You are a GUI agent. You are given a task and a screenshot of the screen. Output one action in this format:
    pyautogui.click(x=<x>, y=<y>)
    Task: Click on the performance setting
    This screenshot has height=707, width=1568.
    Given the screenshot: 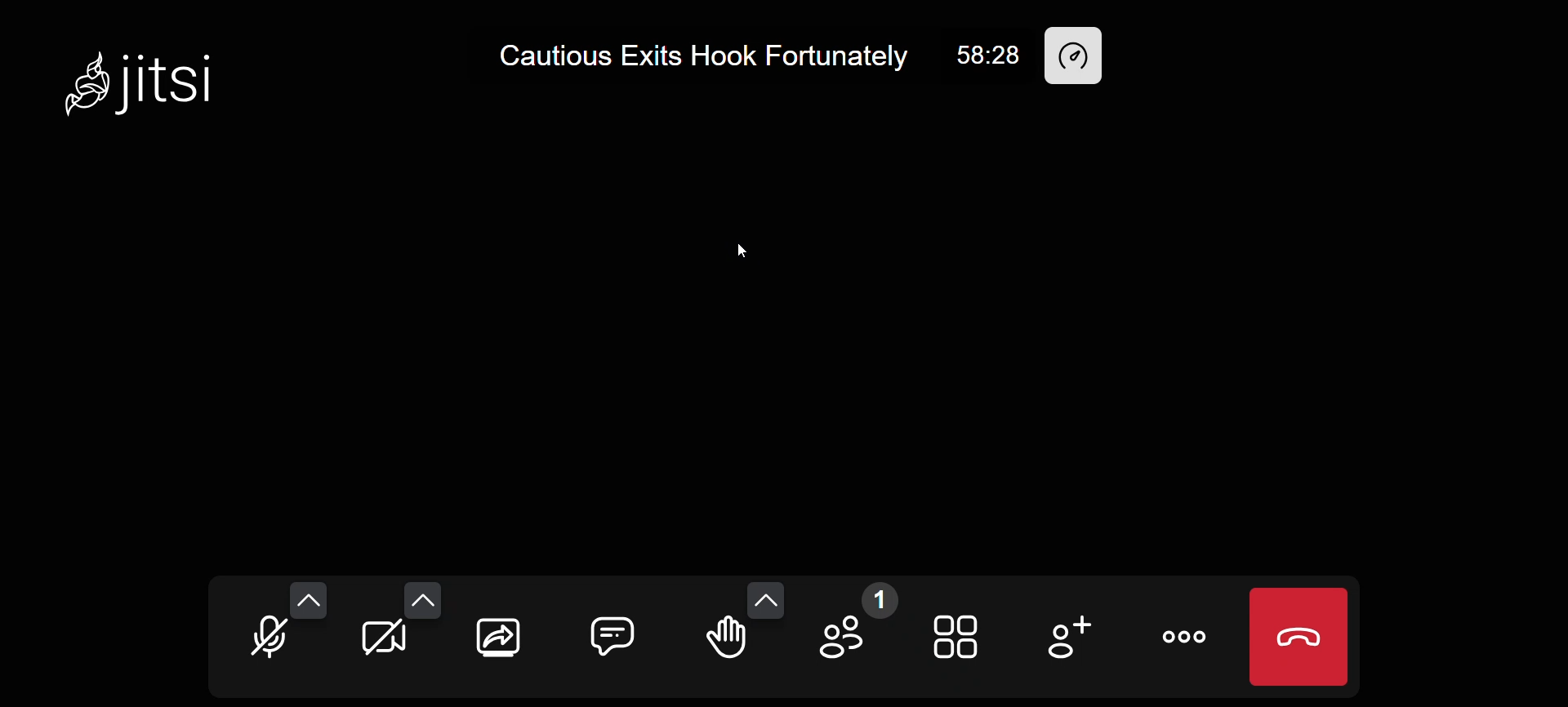 What is the action you would take?
    pyautogui.click(x=1075, y=56)
    